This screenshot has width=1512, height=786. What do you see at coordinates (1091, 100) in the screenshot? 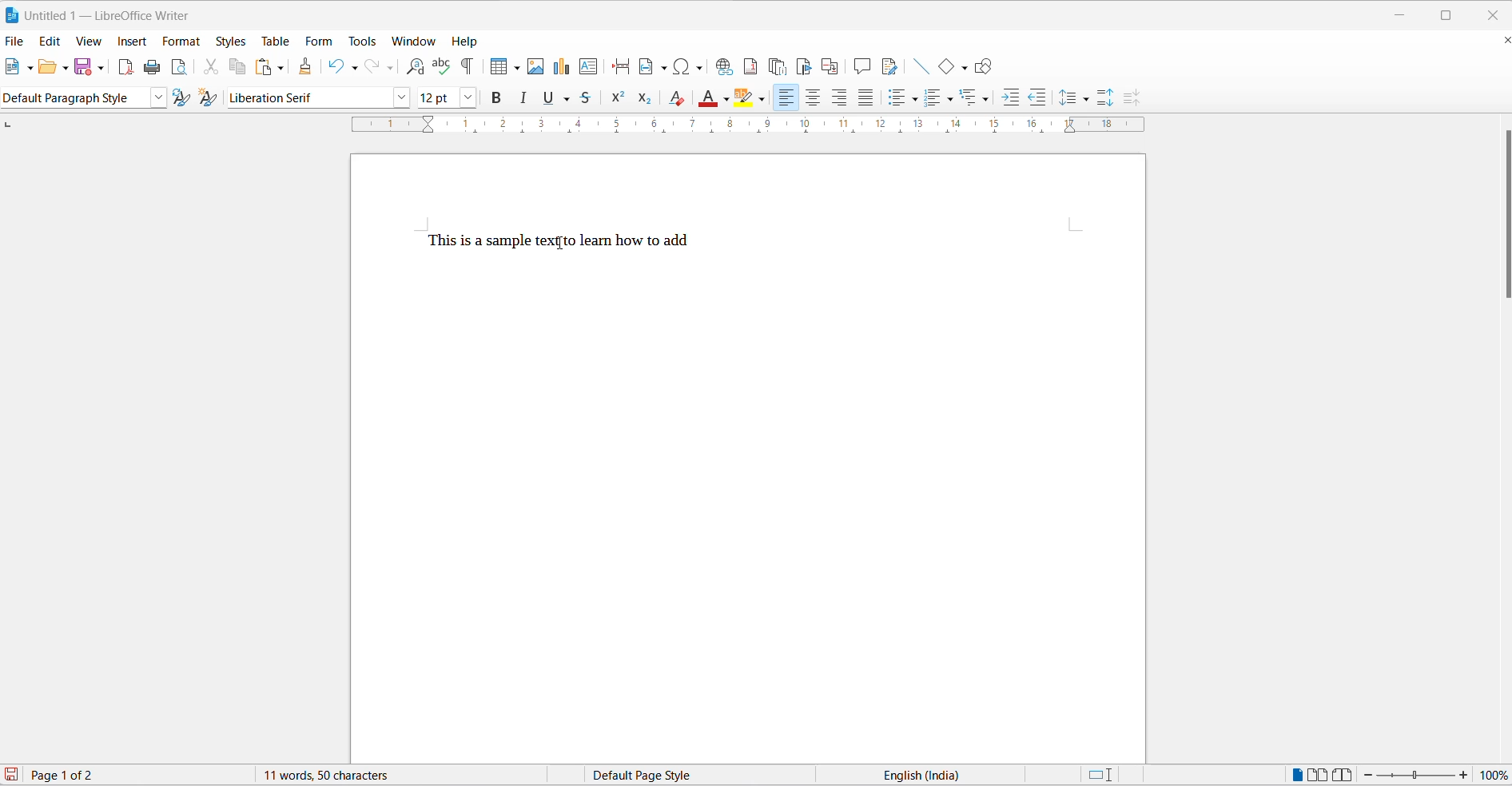
I see `line spacing options` at bounding box center [1091, 100].